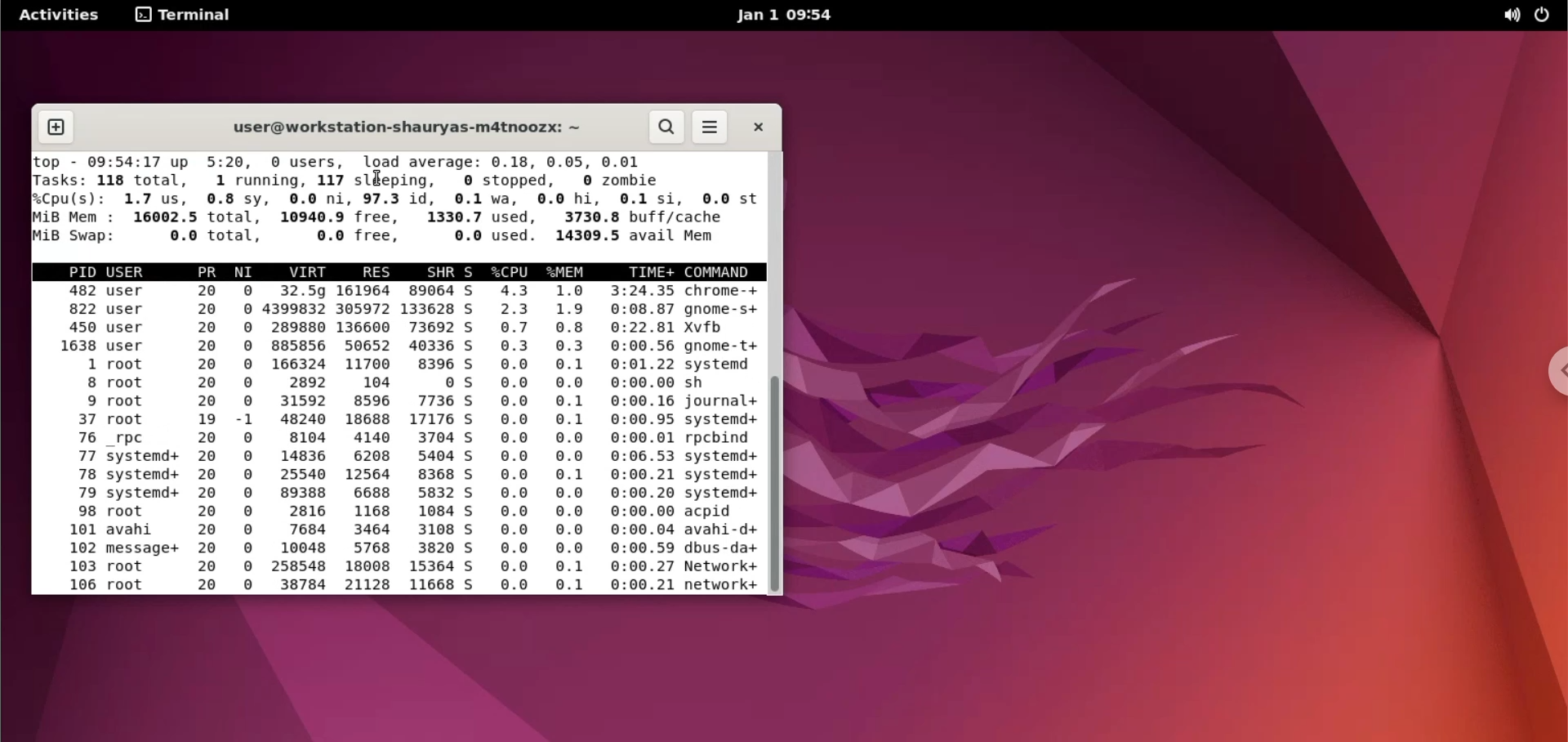  What do you see at coordinates (759, 129) in the screenshot?
I see `close` at bounding box center [759, 129].